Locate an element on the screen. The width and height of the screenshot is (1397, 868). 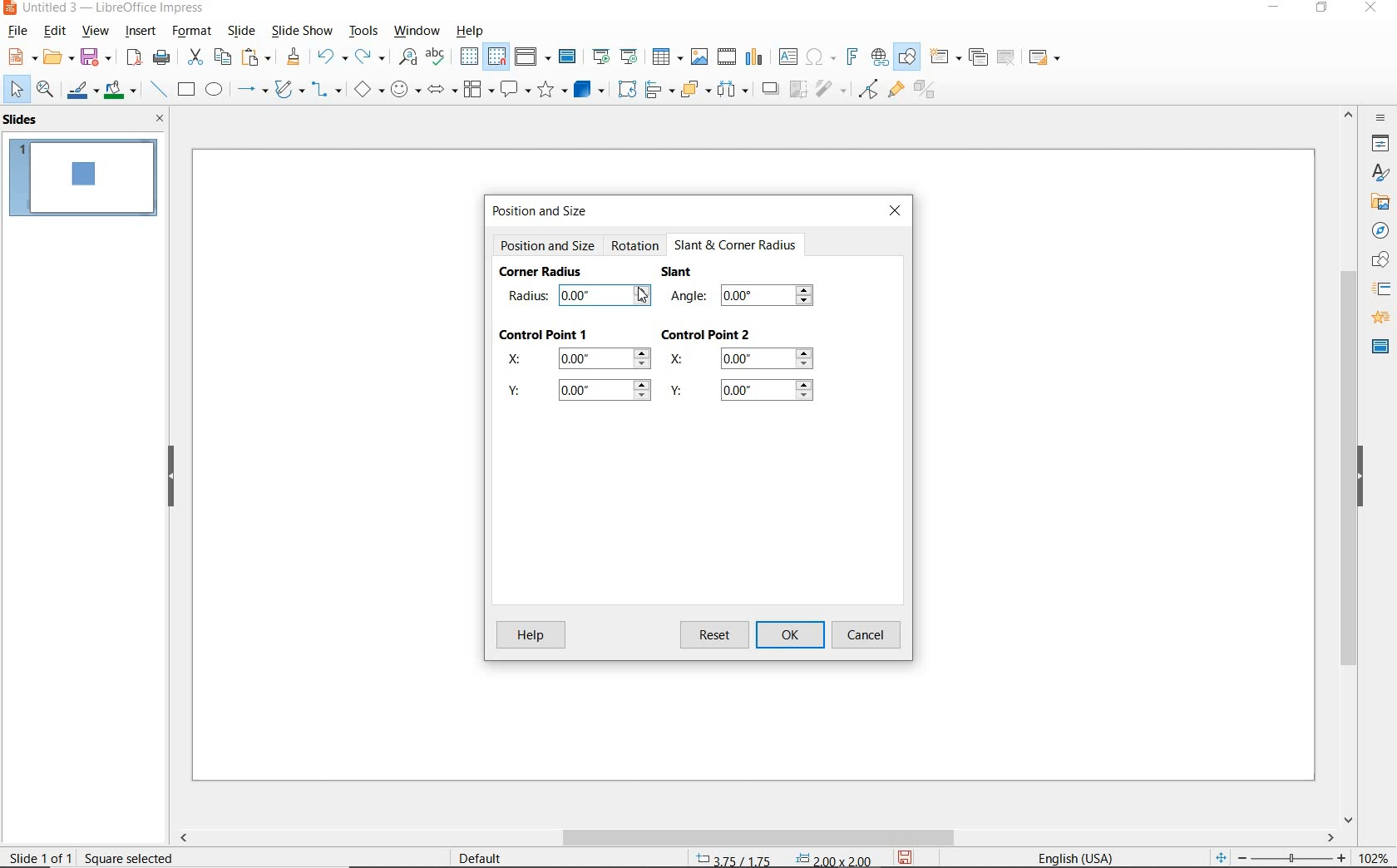
filter is located at coordinates (832, 91).